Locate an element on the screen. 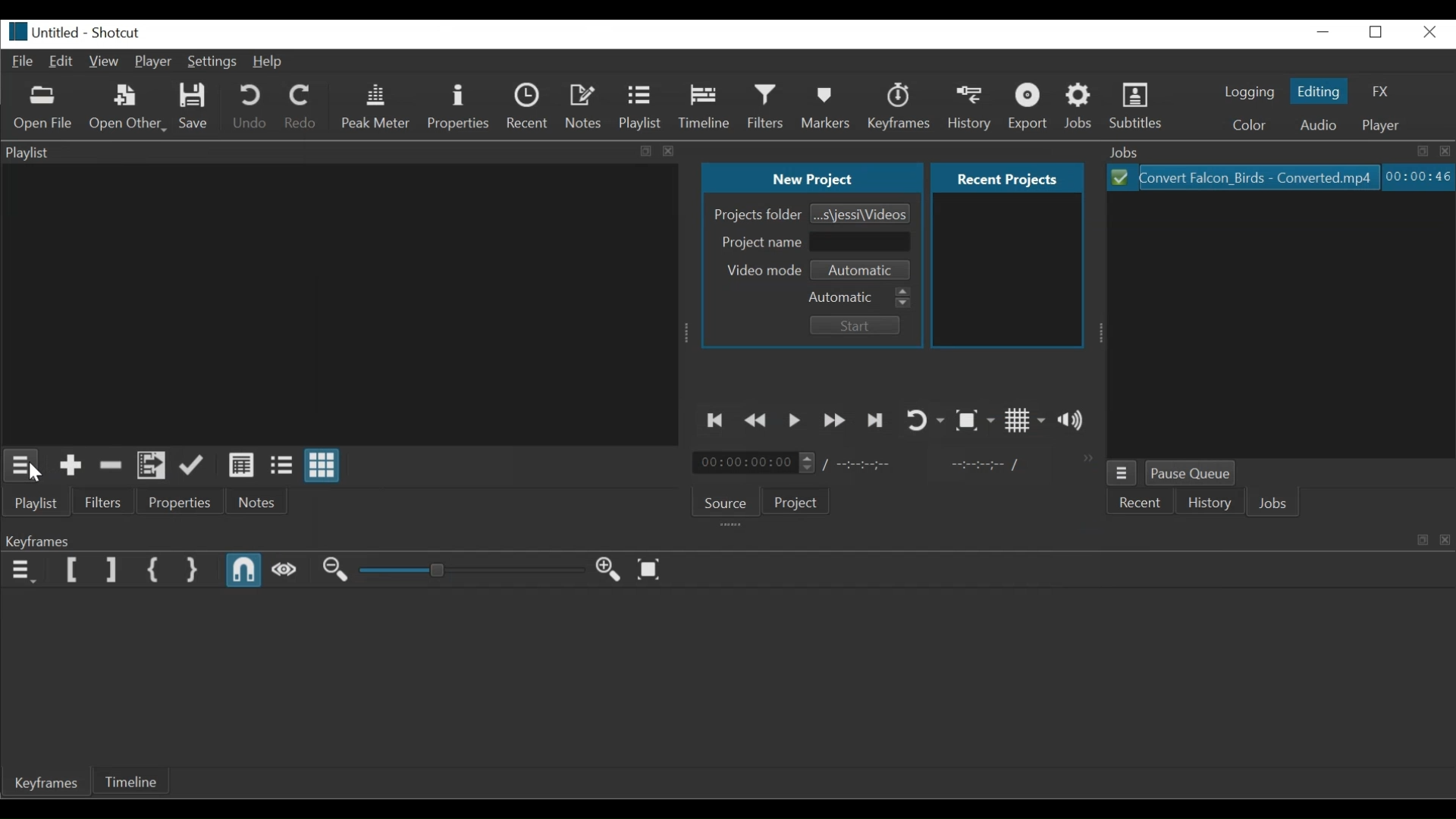  Audio is located at coordinates (1321, 125).